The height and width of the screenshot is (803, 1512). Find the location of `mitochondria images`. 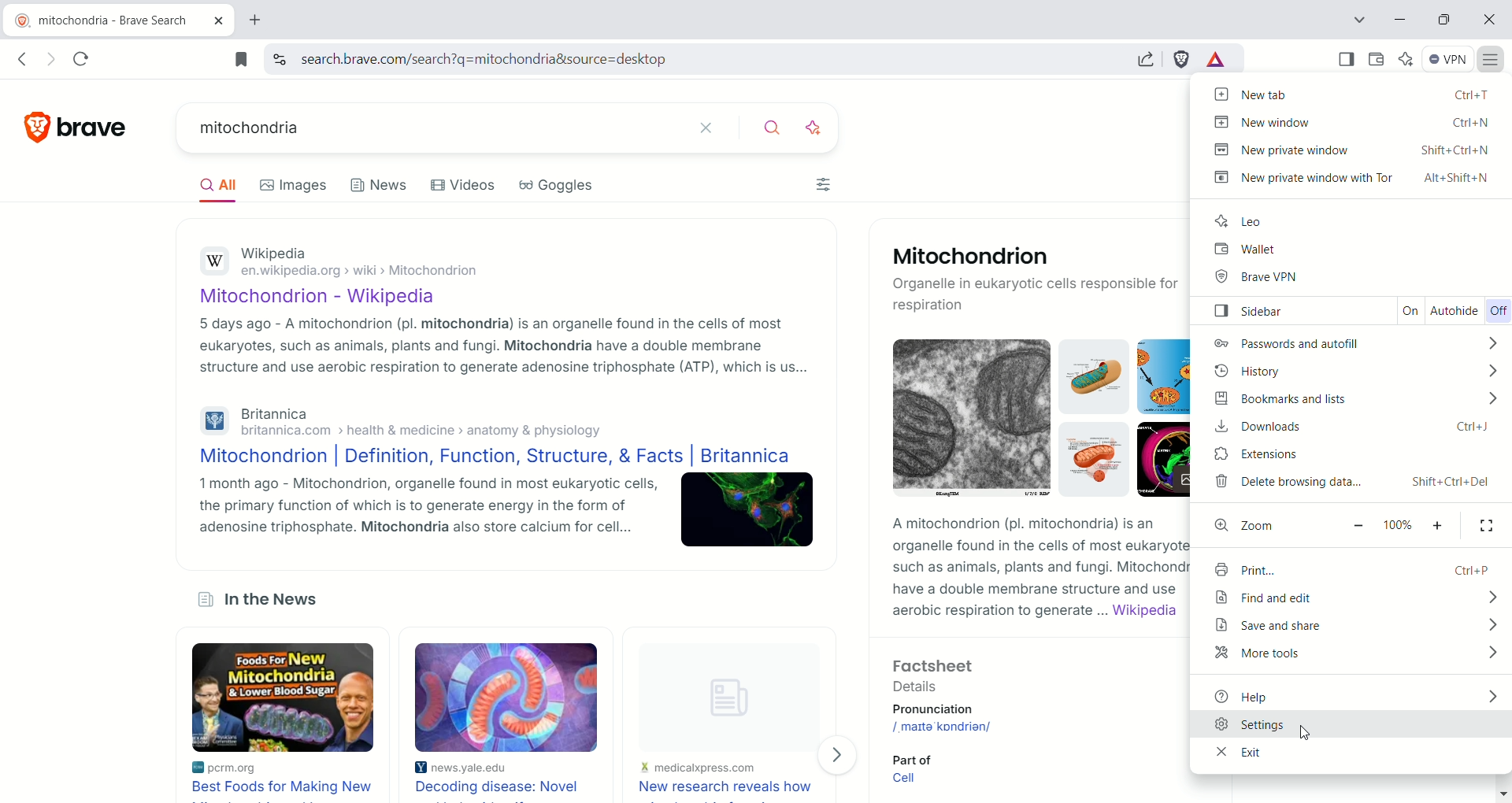

mitochondria images is located at coordinates (1036, 413).